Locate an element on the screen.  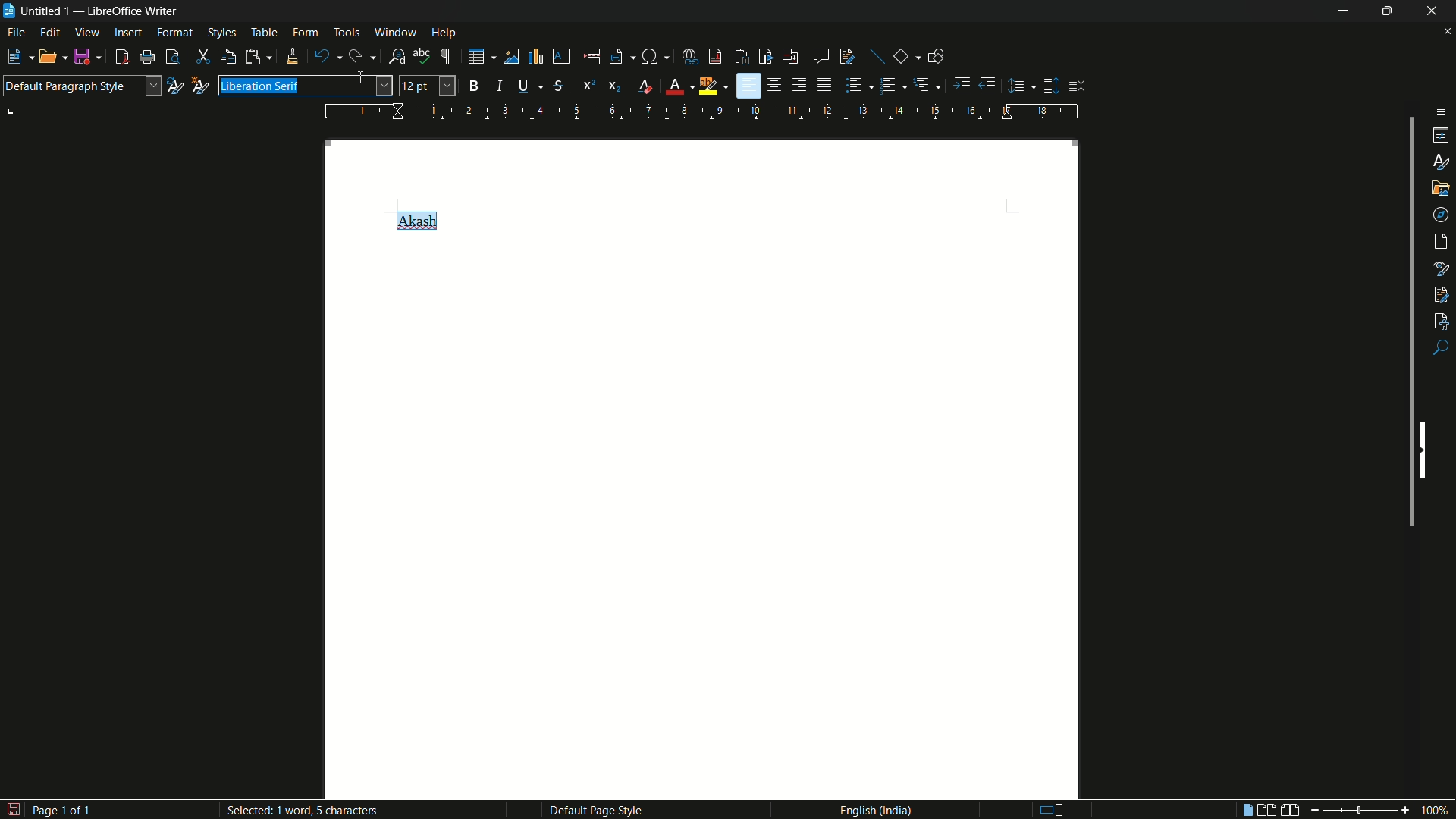
minimize is located at coordinates (1341, 11).